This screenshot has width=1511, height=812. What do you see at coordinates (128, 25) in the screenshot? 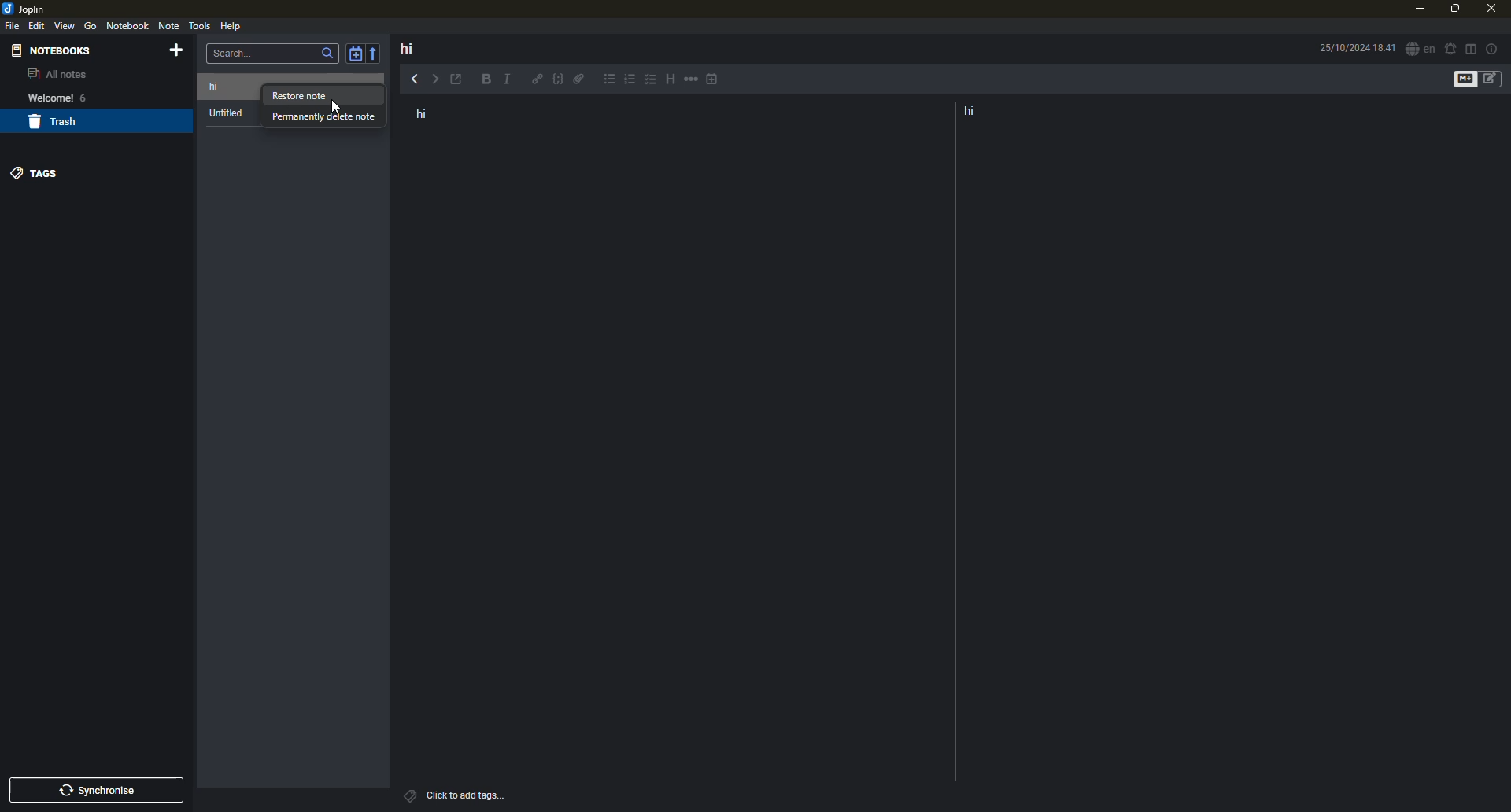
I see `notebook` at bounding box center [128, 25].